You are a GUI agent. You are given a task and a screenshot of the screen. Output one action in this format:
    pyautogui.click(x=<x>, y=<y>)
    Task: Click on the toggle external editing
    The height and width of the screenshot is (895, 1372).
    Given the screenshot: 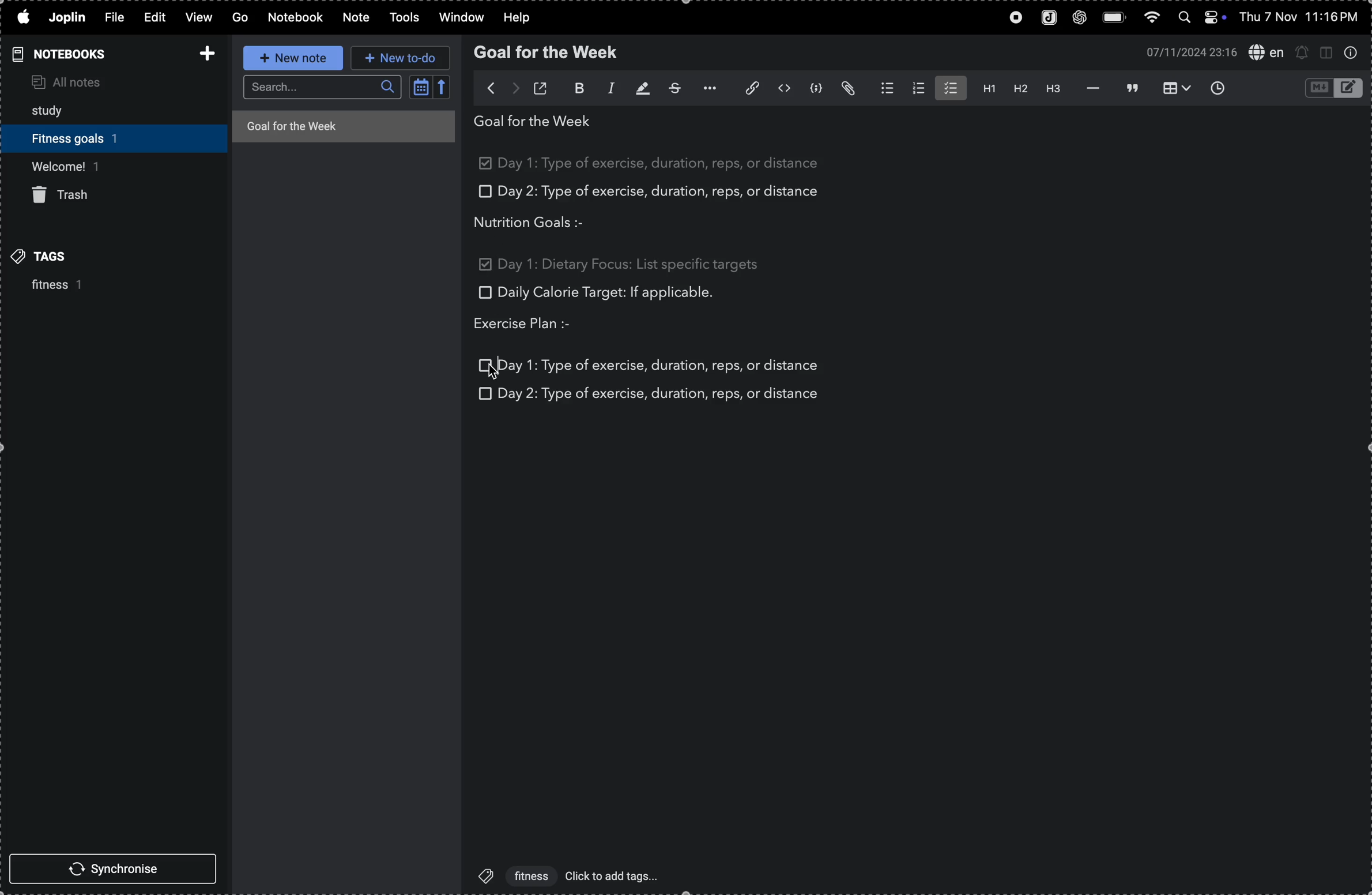 What is the action you would take?
    pyautogui.click(x=543, y=87)
    